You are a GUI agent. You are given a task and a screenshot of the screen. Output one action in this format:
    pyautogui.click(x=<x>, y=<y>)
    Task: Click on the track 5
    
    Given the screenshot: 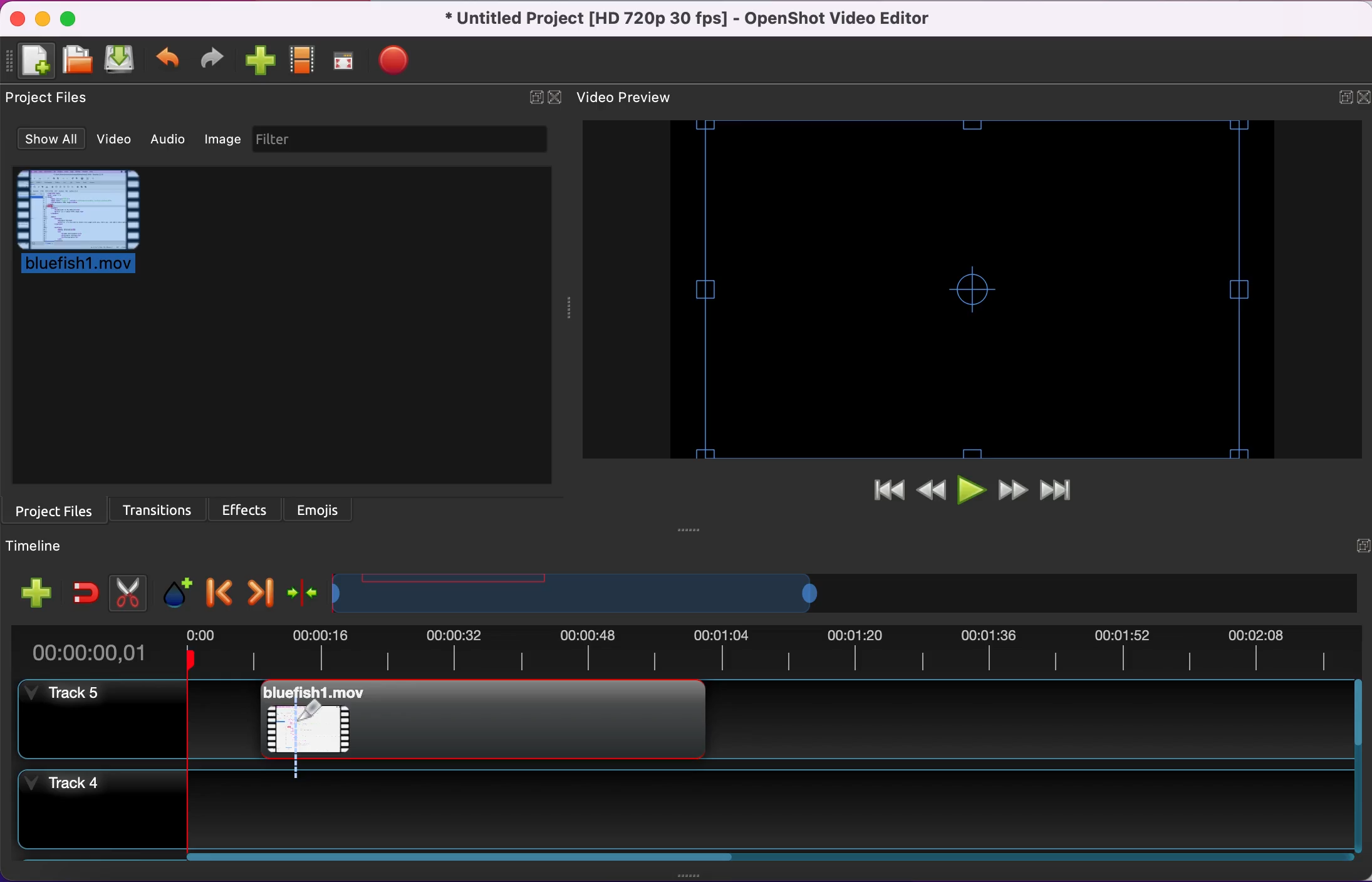 What is the action you would take?
    pyautogui.click(x=103, y=722)
    